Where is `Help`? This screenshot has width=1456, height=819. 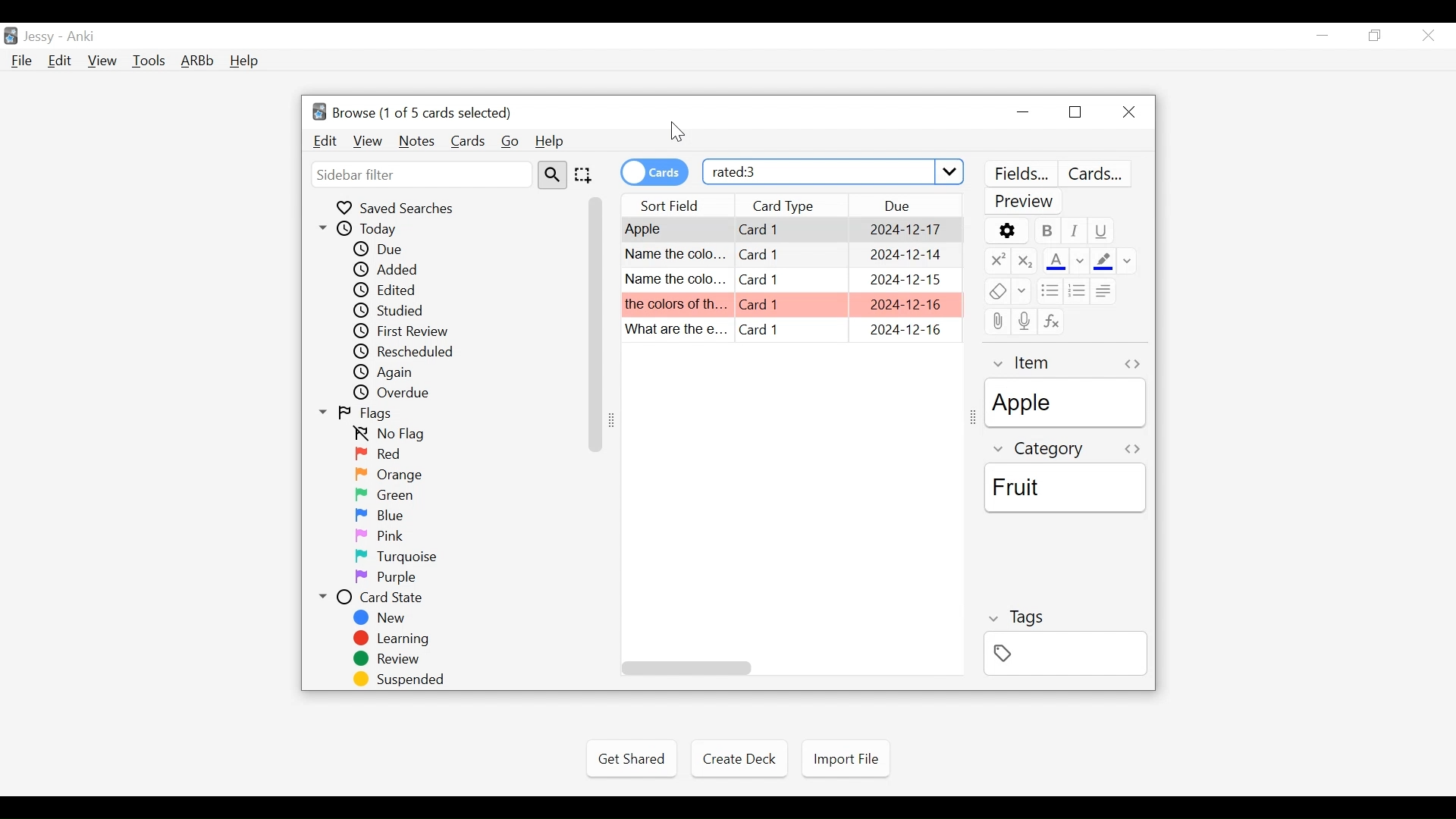
Help is located at coordinates (245, 61).